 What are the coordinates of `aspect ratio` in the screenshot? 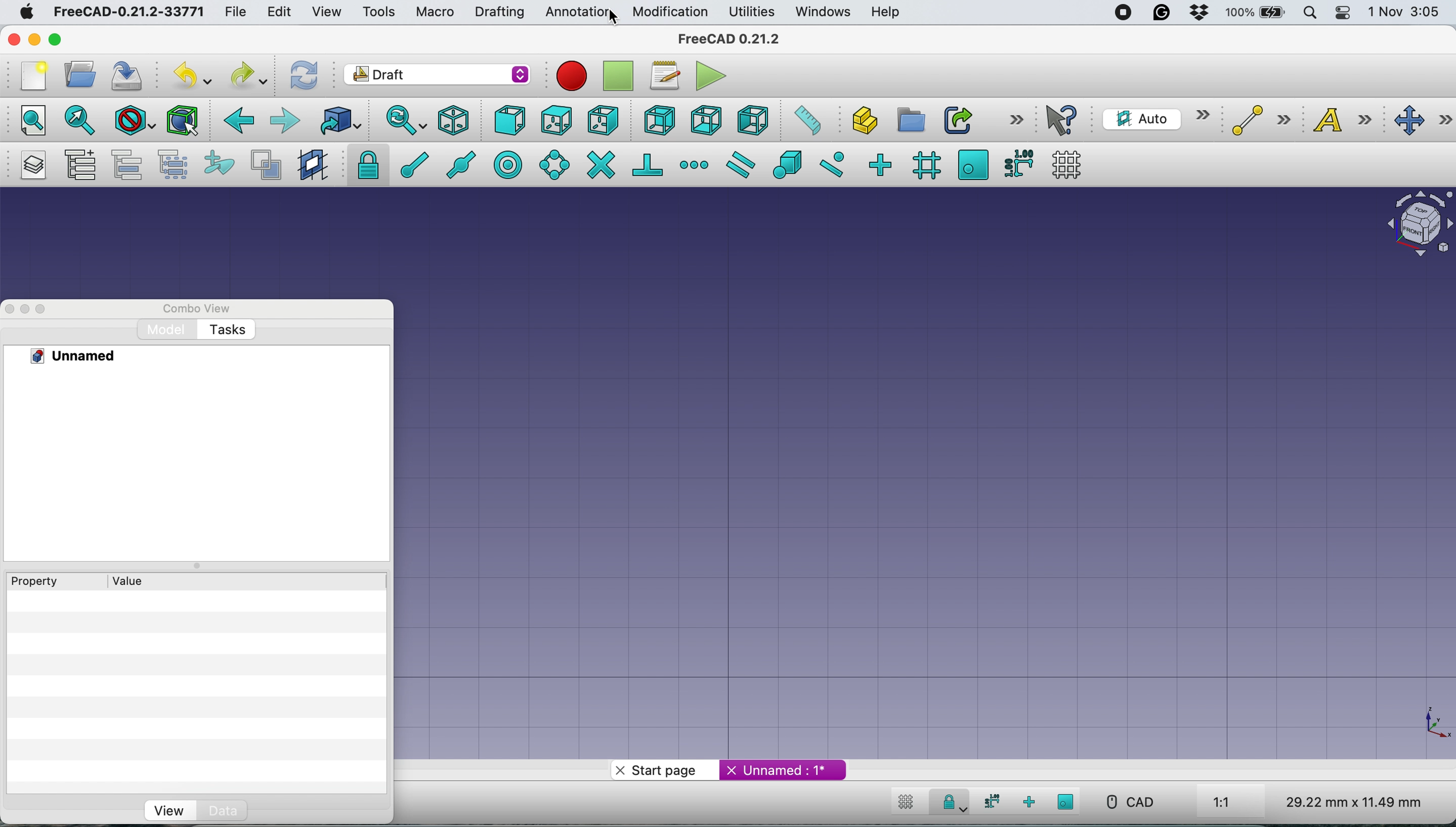 It's located at (1233, 800).